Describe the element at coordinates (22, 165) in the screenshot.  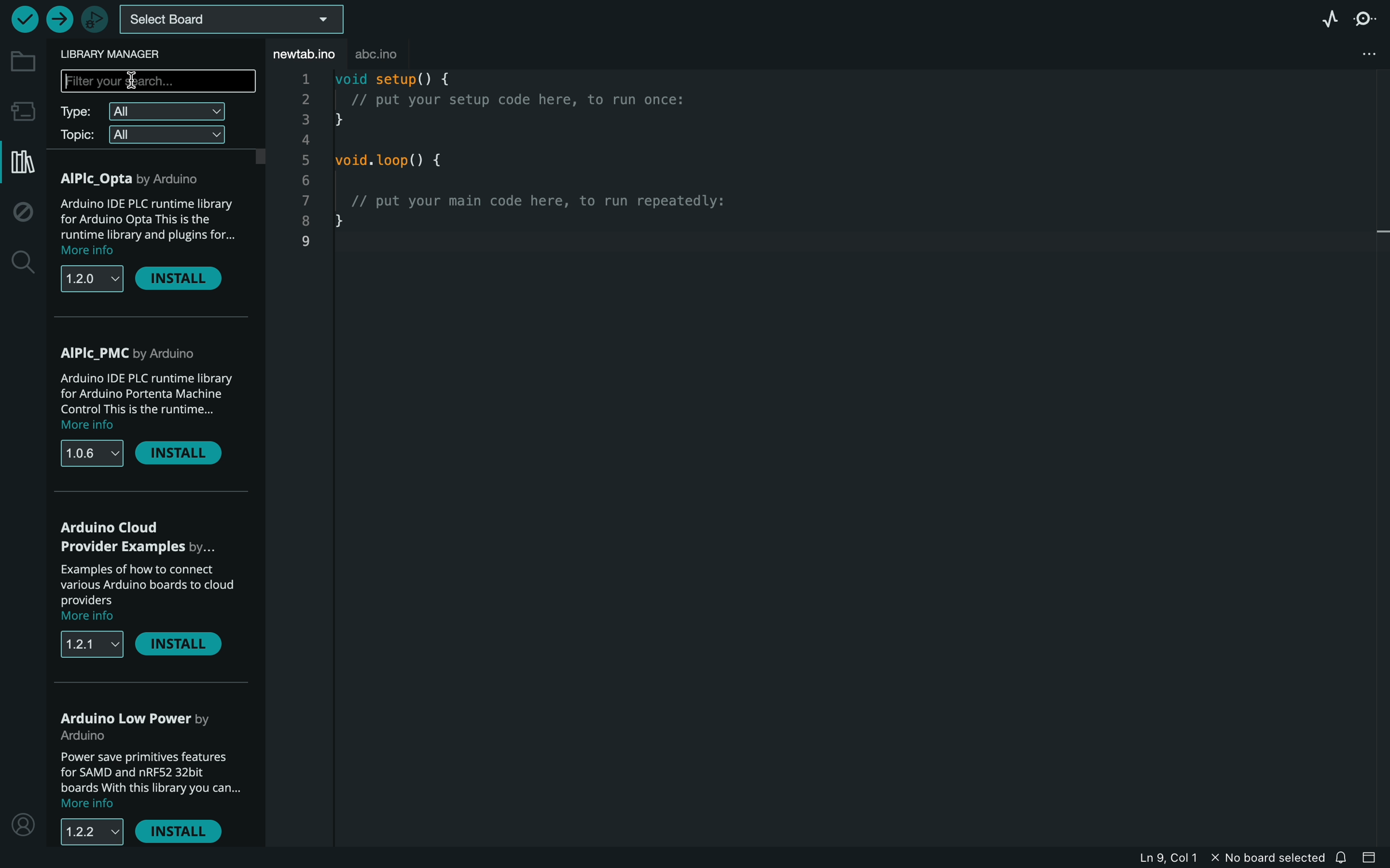
I see `library manager` at that location.